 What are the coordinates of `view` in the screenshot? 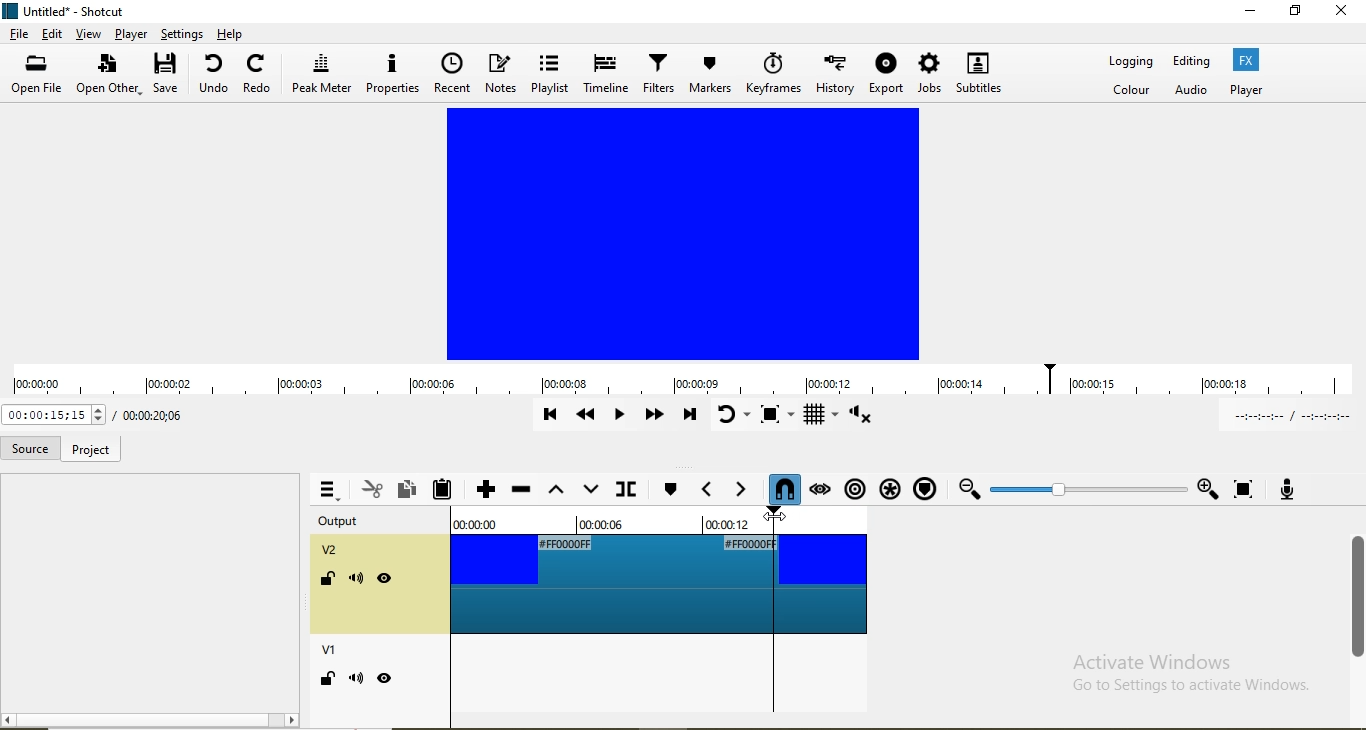 It's located at (88, 36).